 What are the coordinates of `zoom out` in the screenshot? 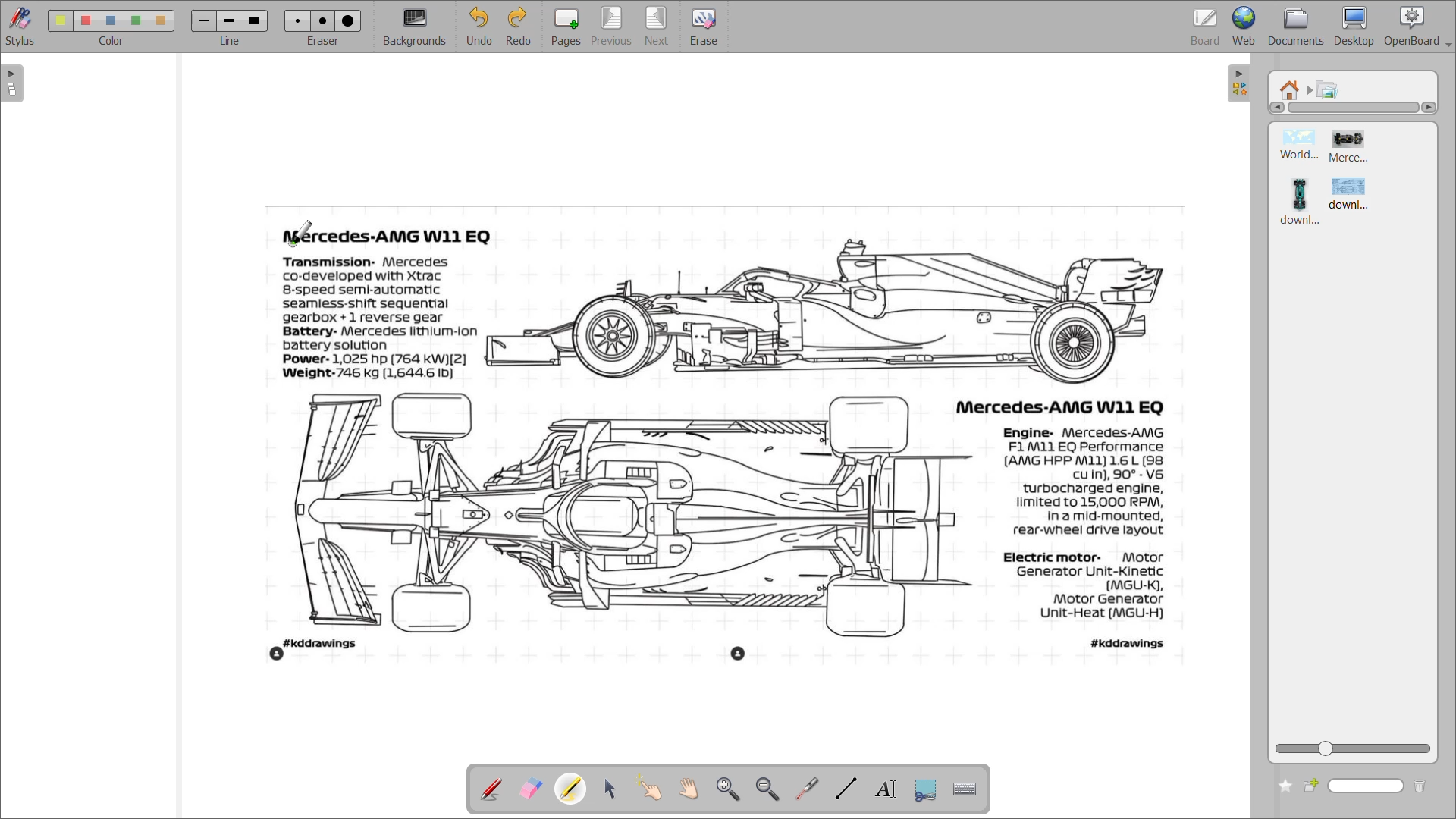 It's located at (767, 789).